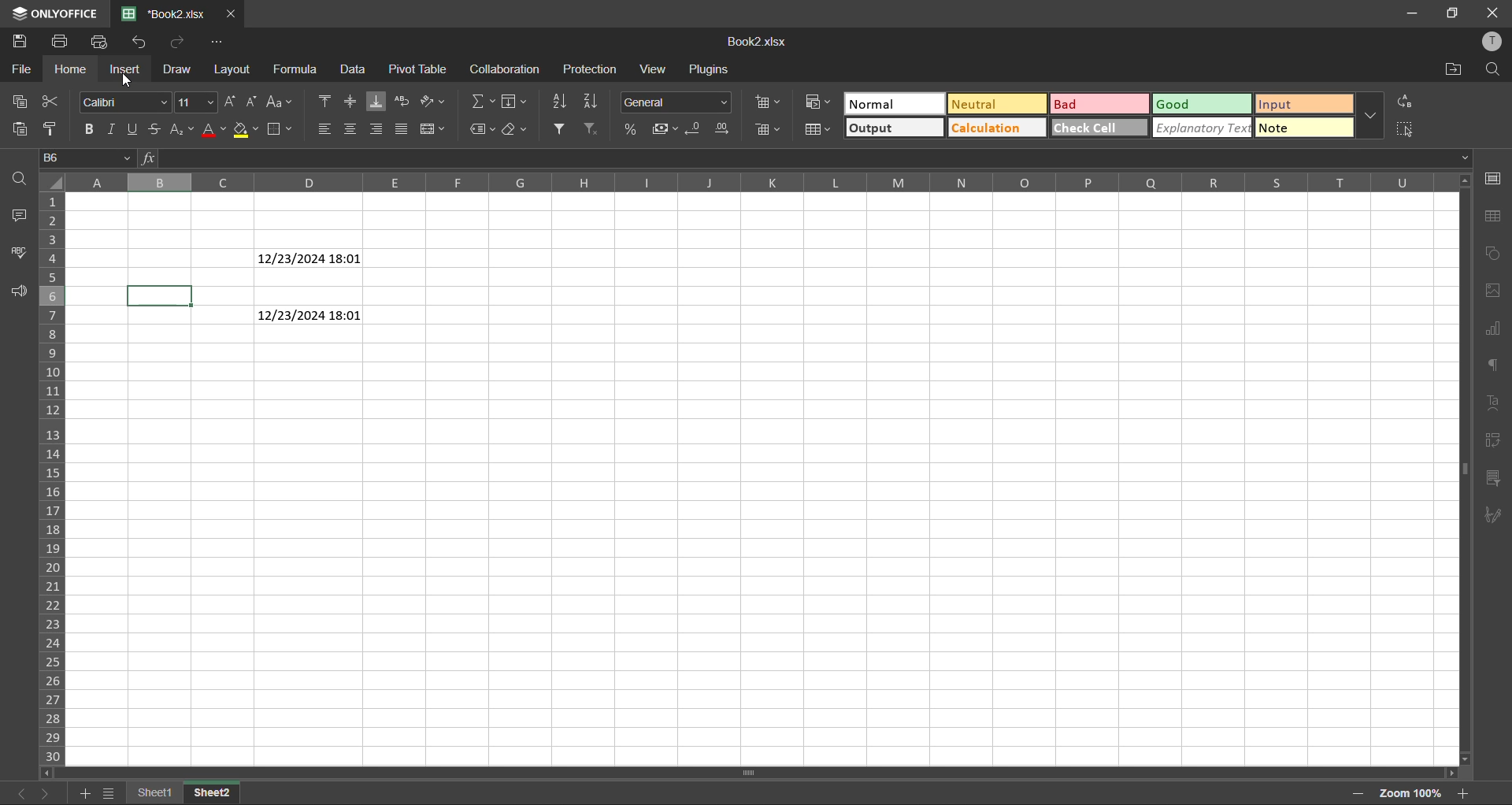 This screenshot has width=1512, height=805. What do you see at coordinates (310, 258) in the screenshot?
I see `12/23/24 18:01` at bounding box center [310, 258].